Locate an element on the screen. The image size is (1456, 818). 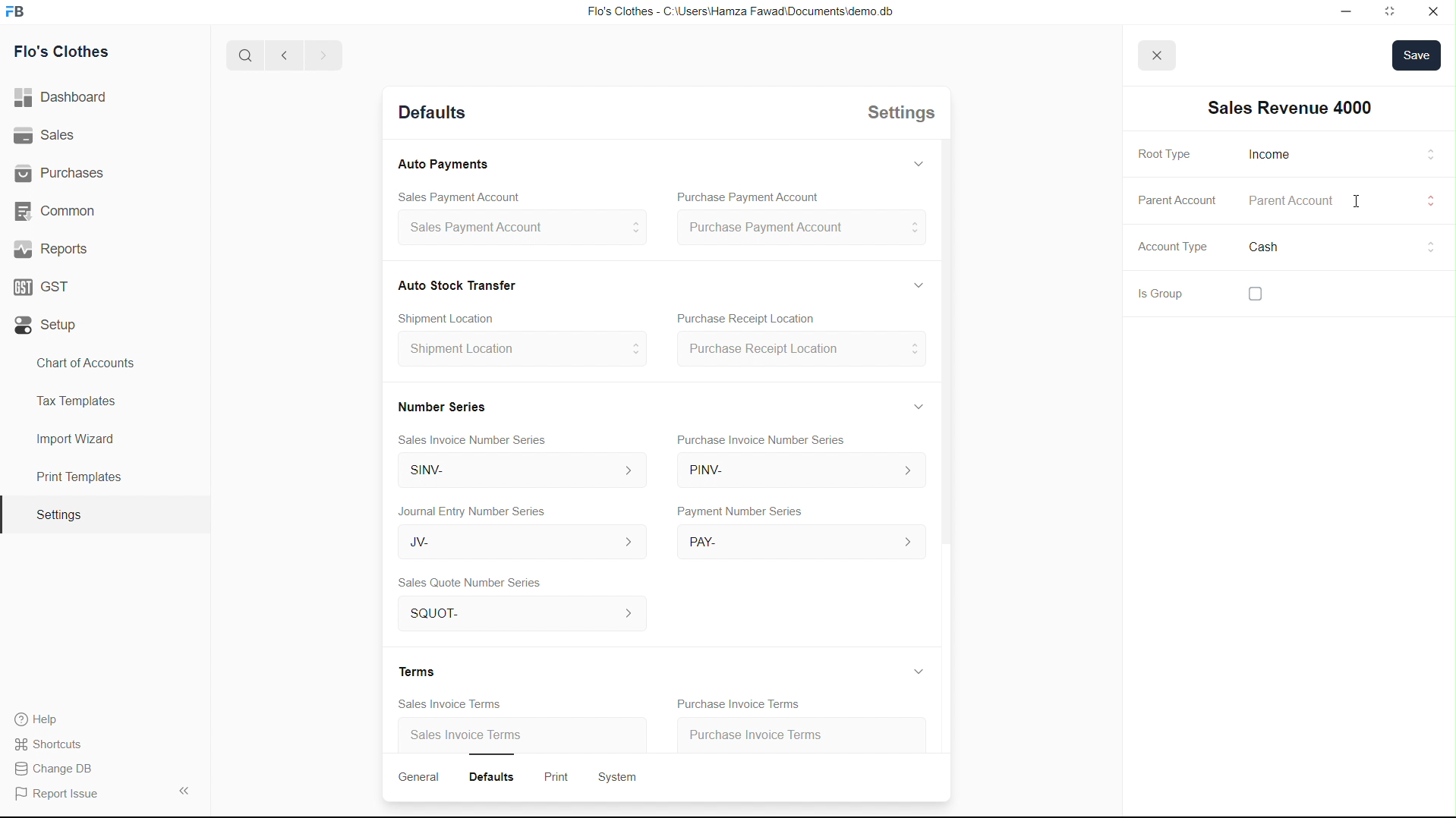
Parent Account is located at coordinates (1175, 199).